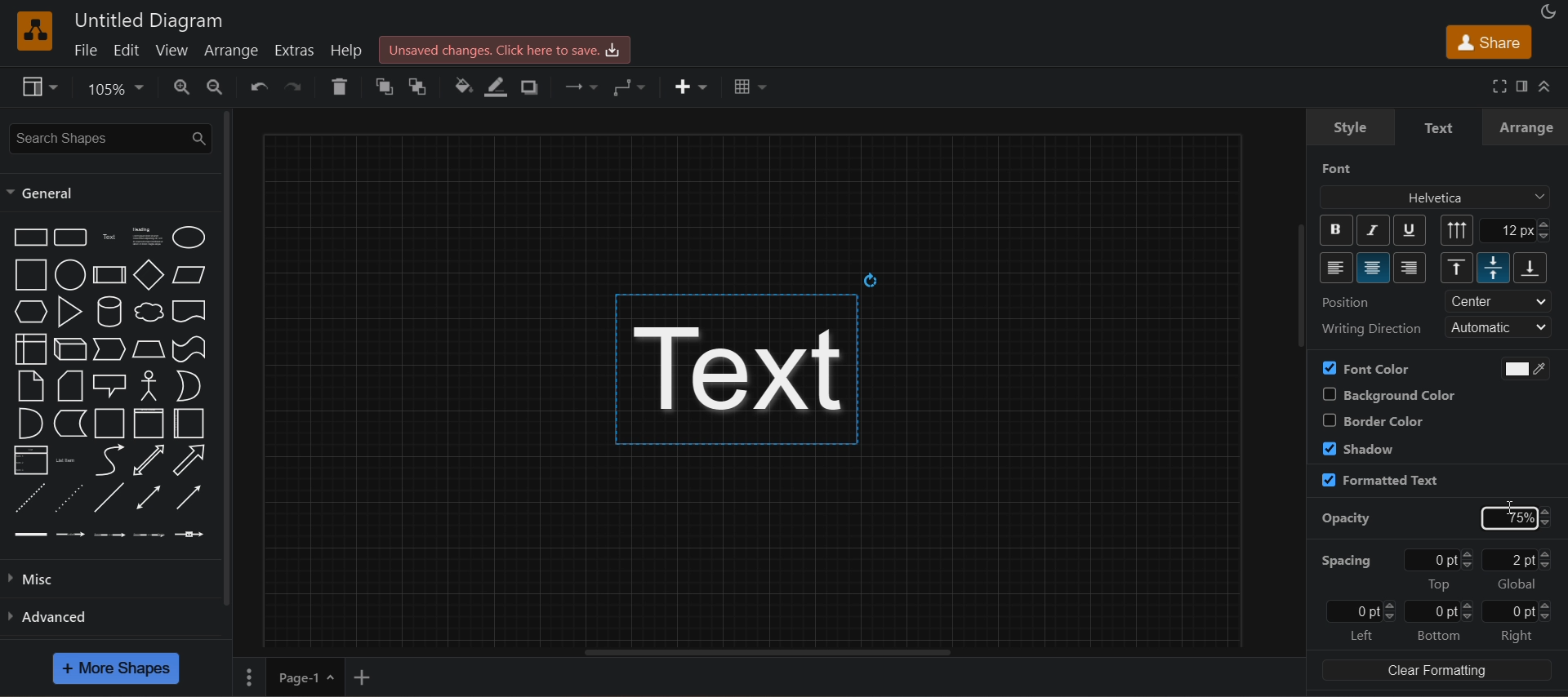  What do you see at coordinates (67, 460) in the screenshot?
I see `list item` at bounding box center [67, 460].